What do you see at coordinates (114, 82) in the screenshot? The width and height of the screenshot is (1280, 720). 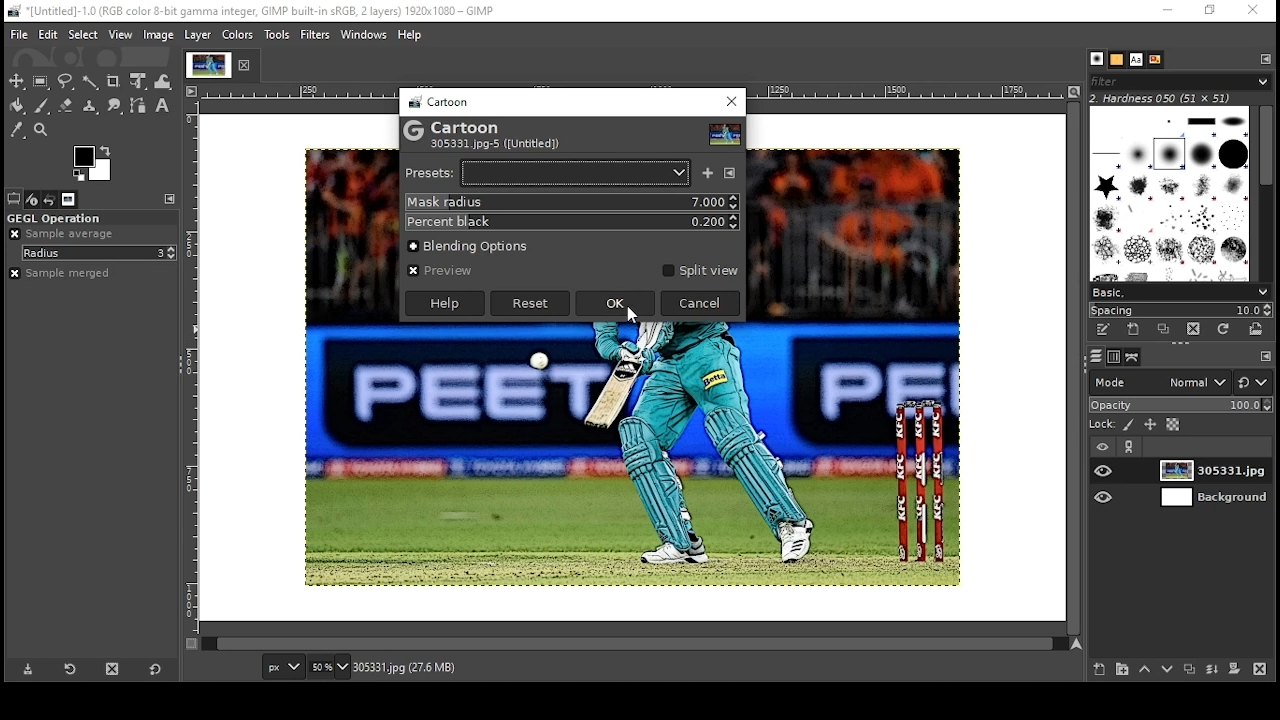 I see `crop tool` at bounding box center [114, 82].